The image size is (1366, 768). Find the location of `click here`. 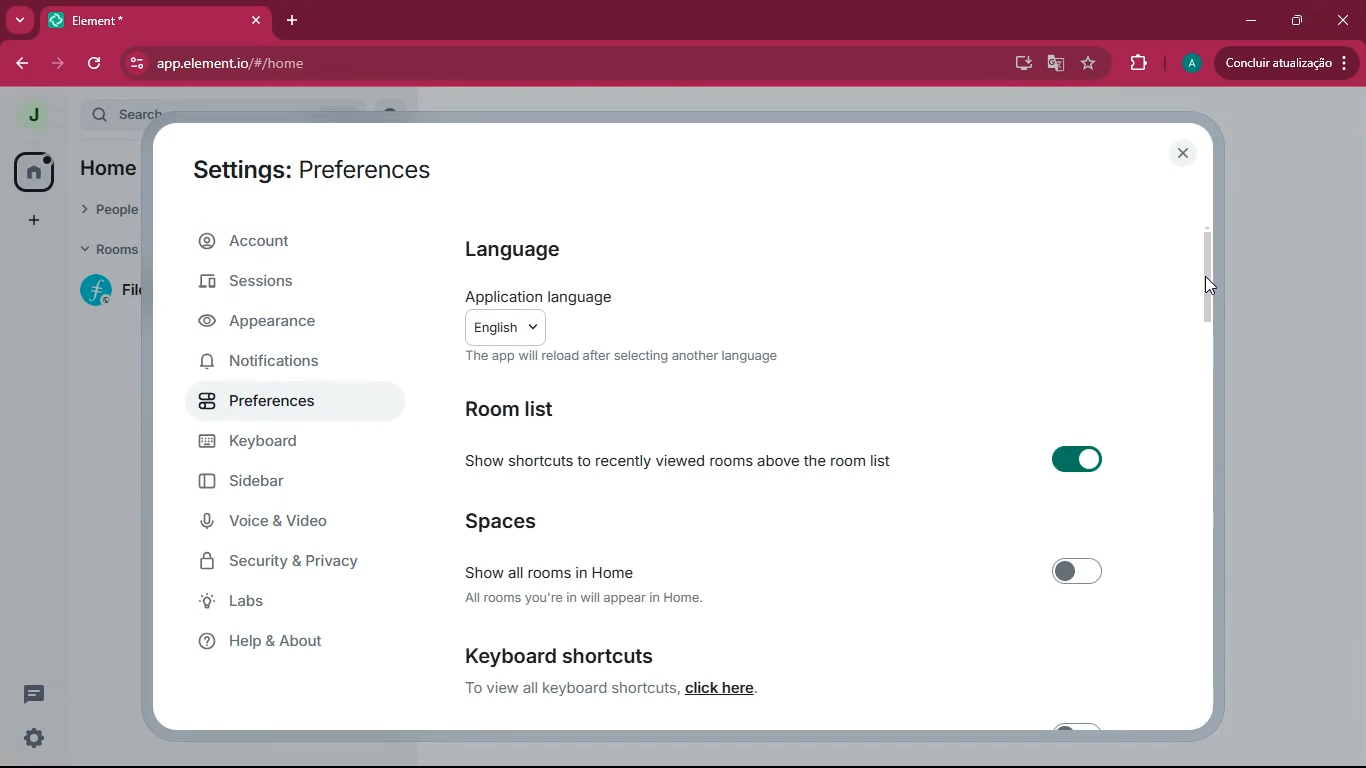

click here is located at coordinates (720, 687).